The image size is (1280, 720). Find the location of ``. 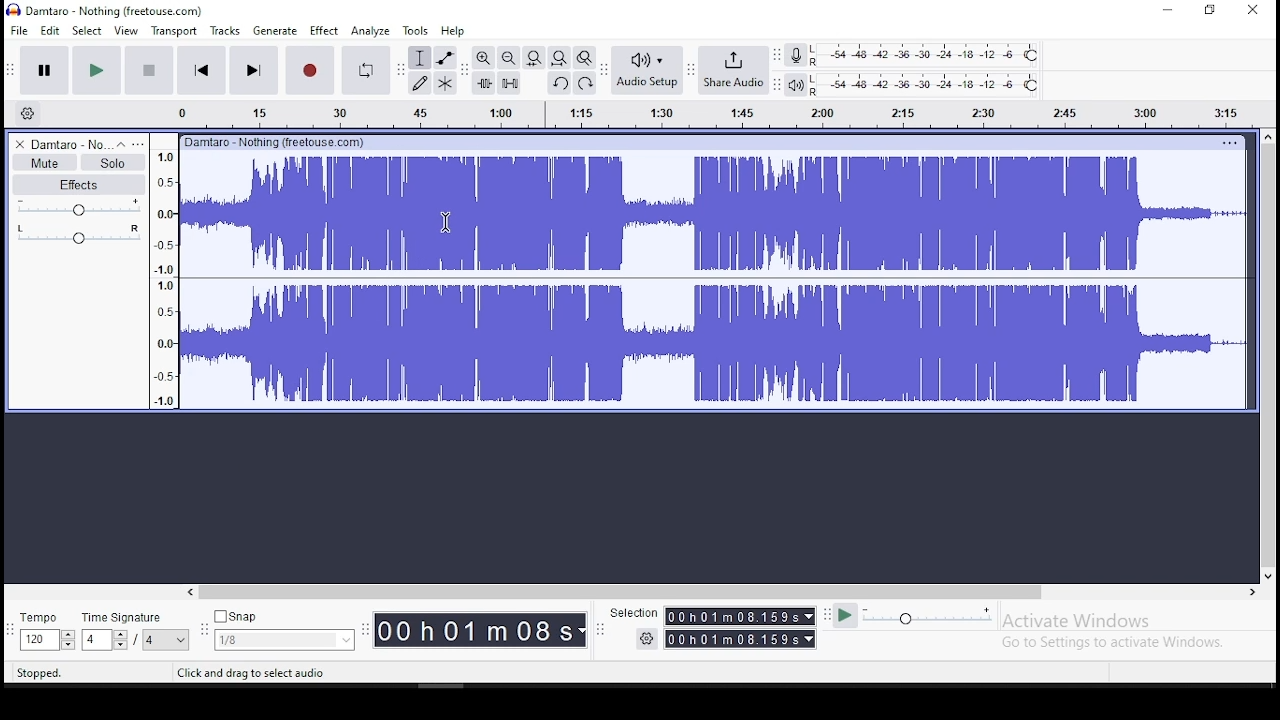

 is located at coordinates (399, 69).